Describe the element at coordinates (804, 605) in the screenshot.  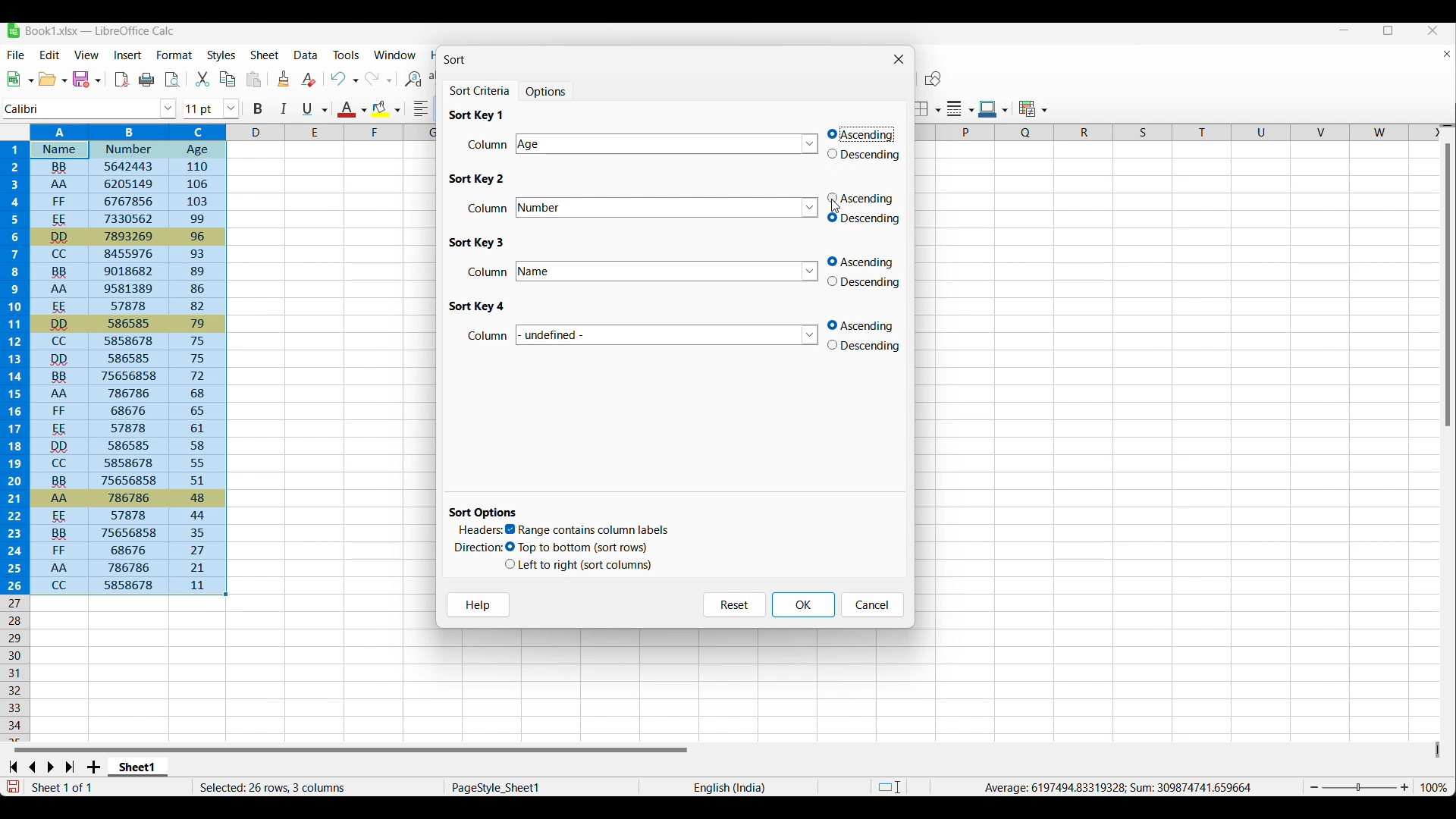
I see `Save inputs` at that location.